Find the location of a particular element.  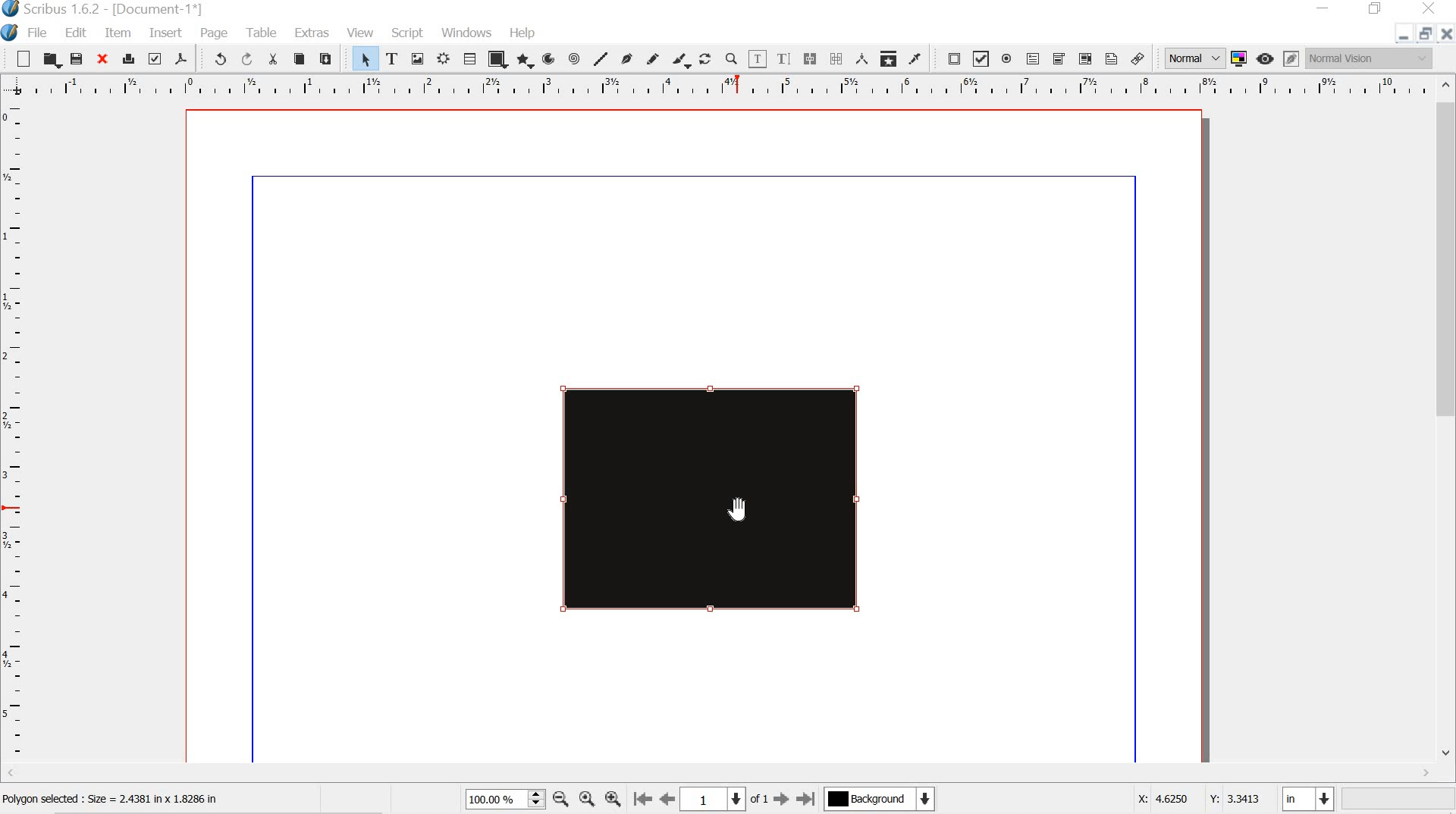

link annotation is located at coordinates (1137, 59).